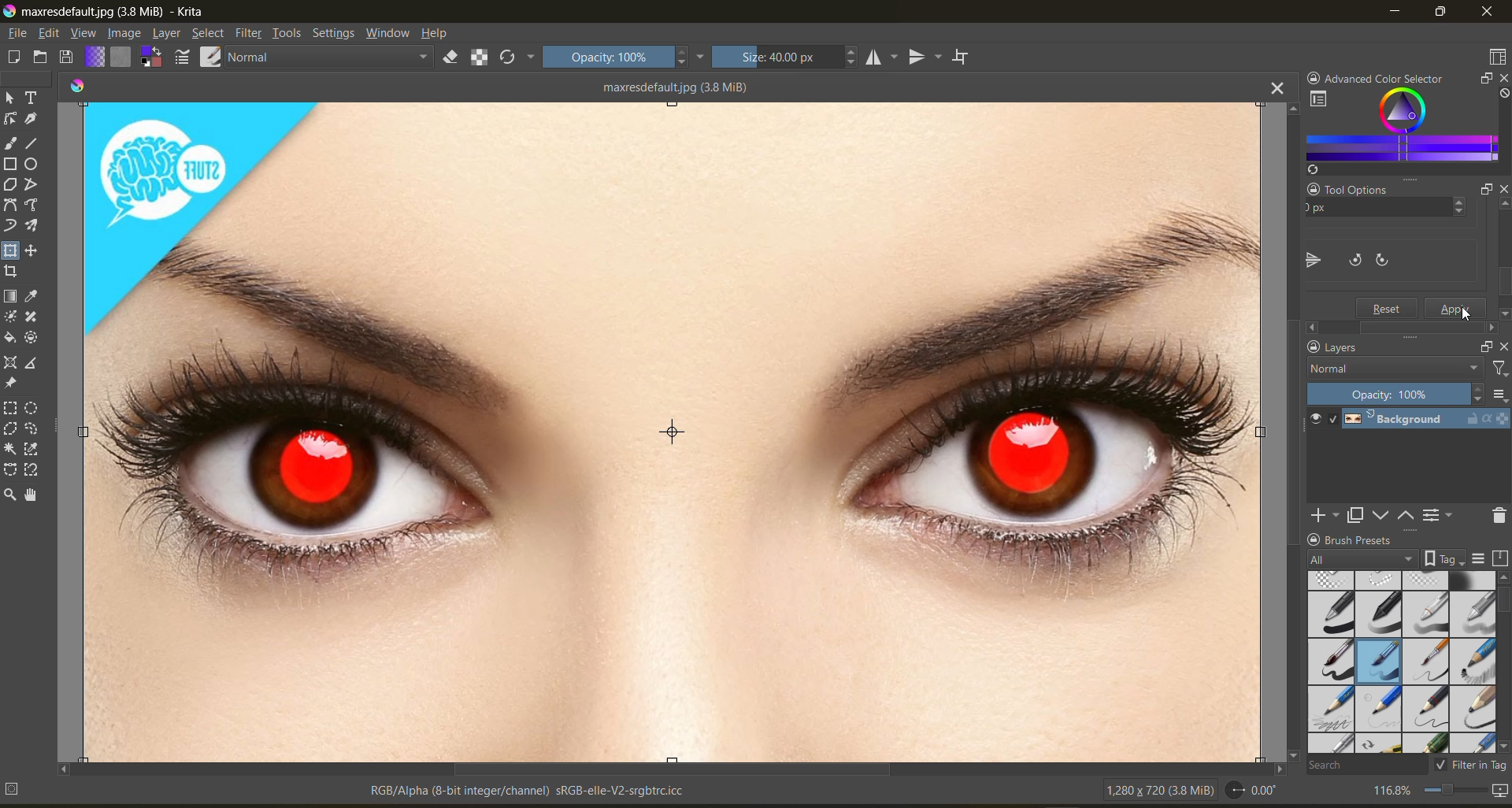 This screenshot has height=808, width=1512. Describe the element at coordinates (1496, 57) in the screenshot. I see `choose workspace` at that location.